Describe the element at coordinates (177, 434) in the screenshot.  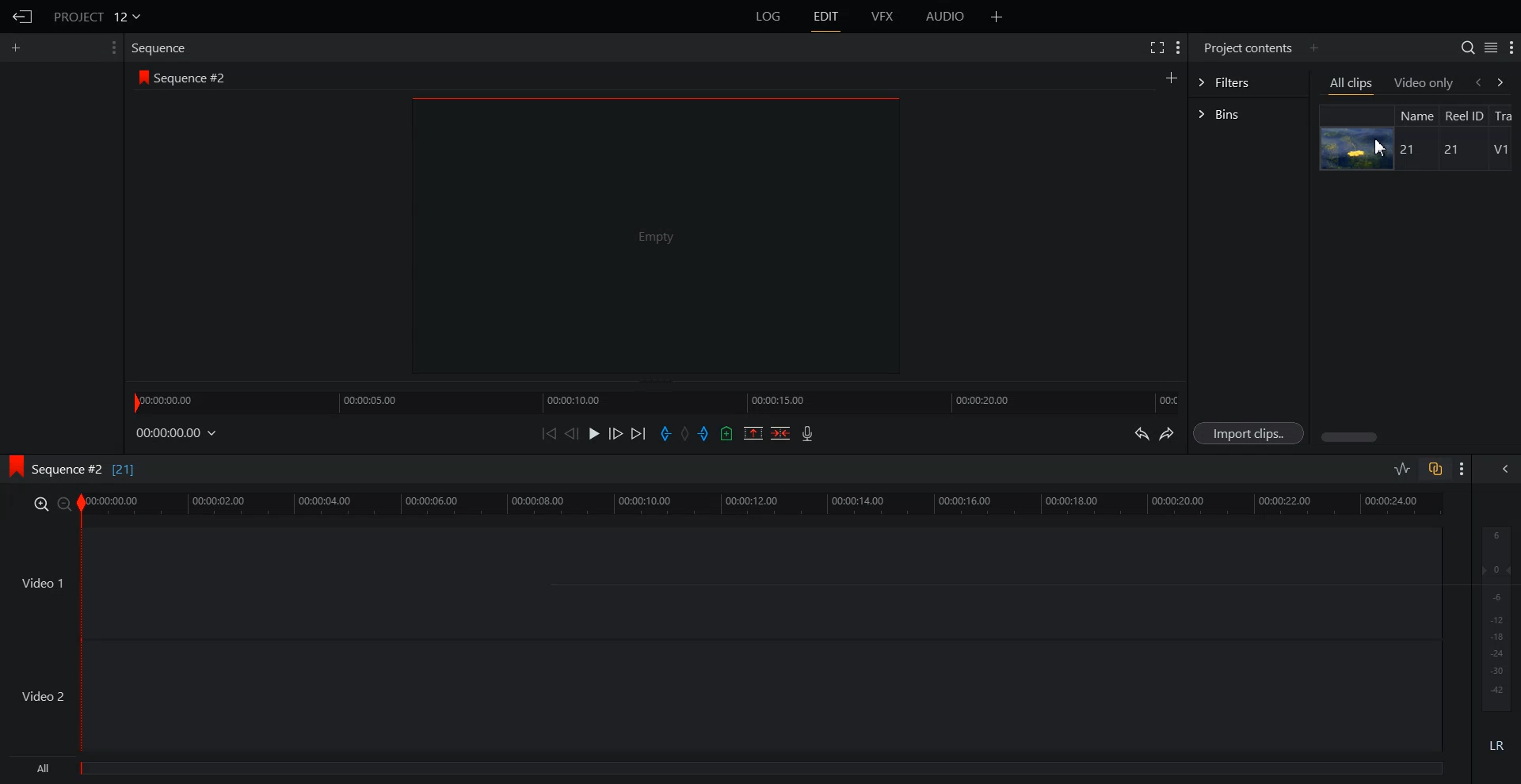
I see `00:00:00.00` at that location.